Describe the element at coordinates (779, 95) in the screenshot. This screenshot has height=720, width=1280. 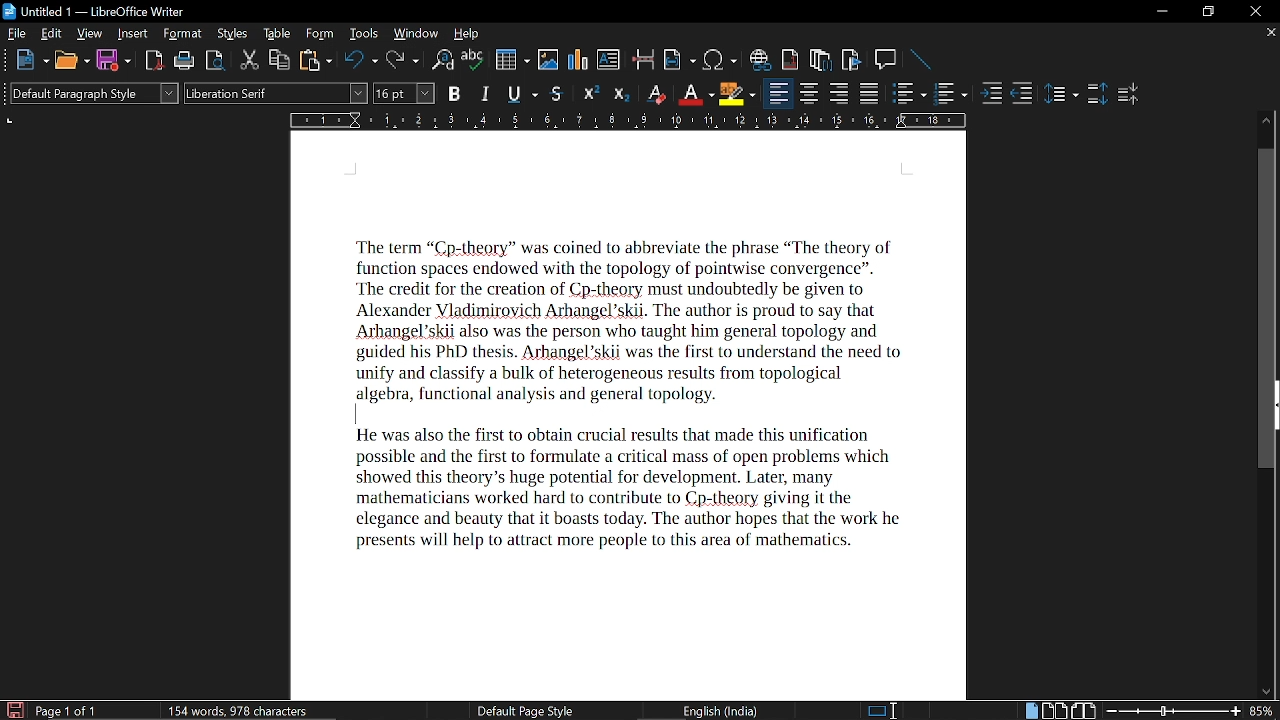
I see `allign left` at that location.